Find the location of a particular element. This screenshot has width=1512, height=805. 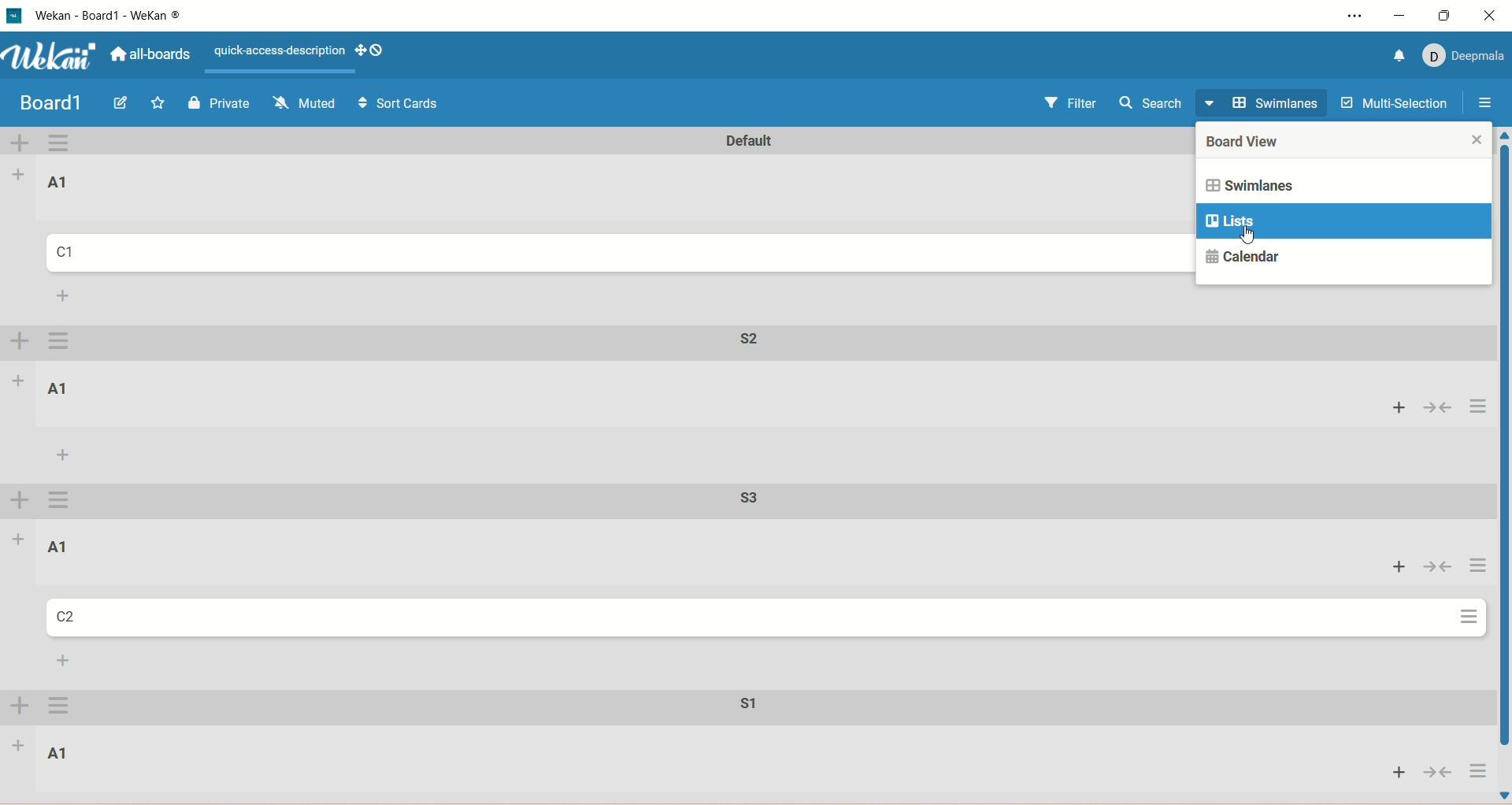

card title is located at coordinates (74, 254).